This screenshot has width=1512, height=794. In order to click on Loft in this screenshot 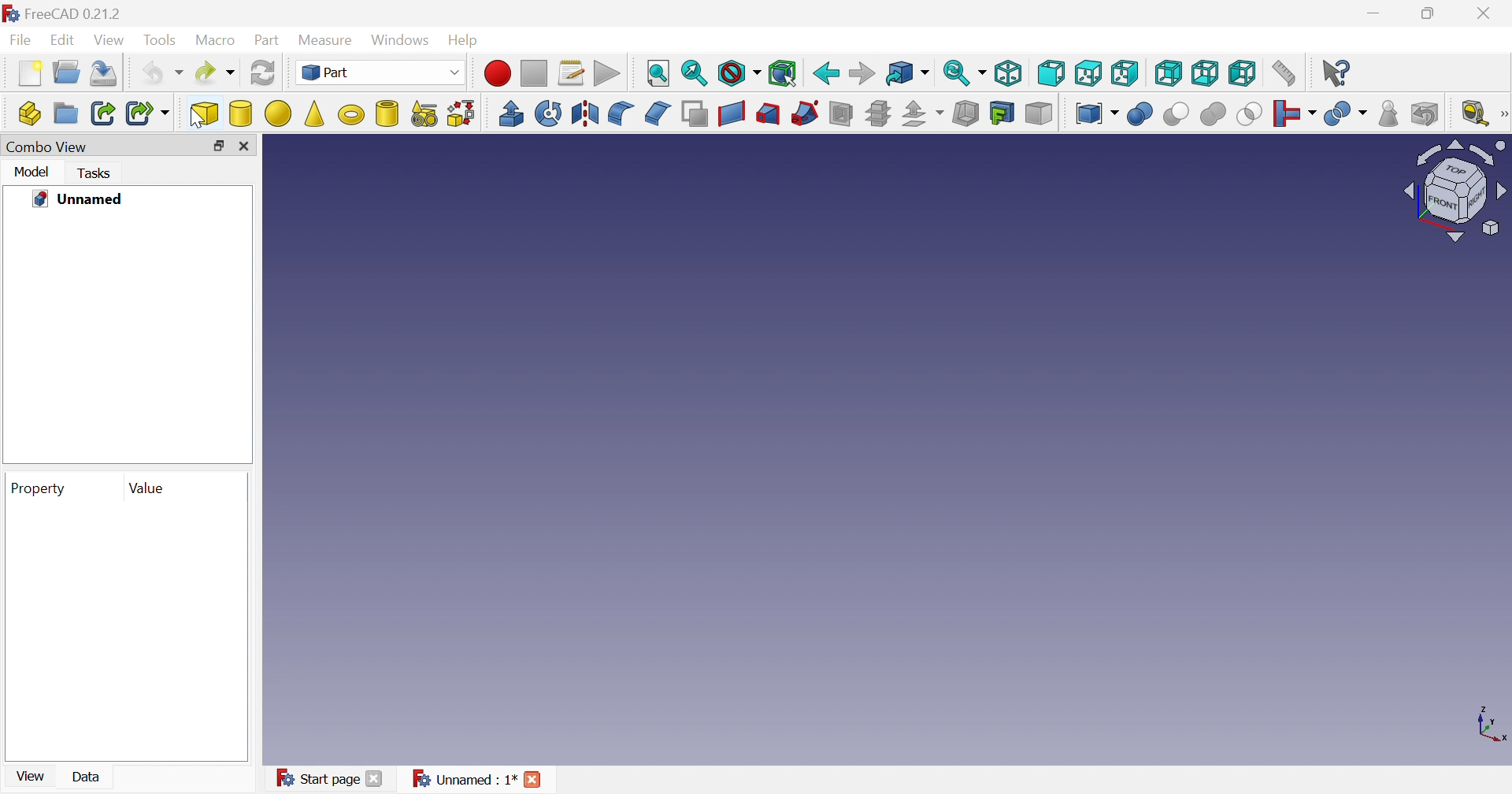, I will do `click(768, 114)`.